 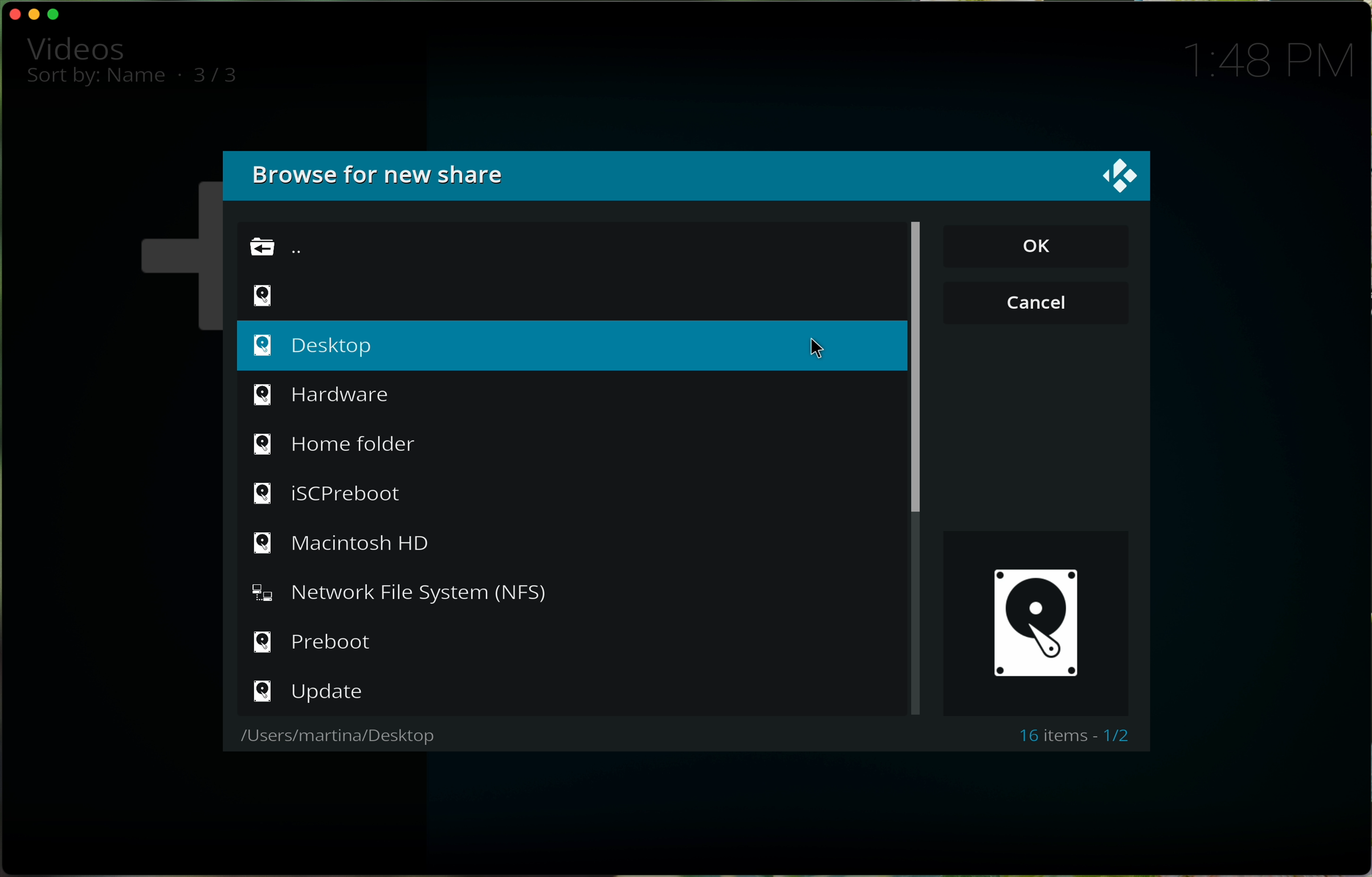 I want to click on prebot, so click(x=312, y=645).